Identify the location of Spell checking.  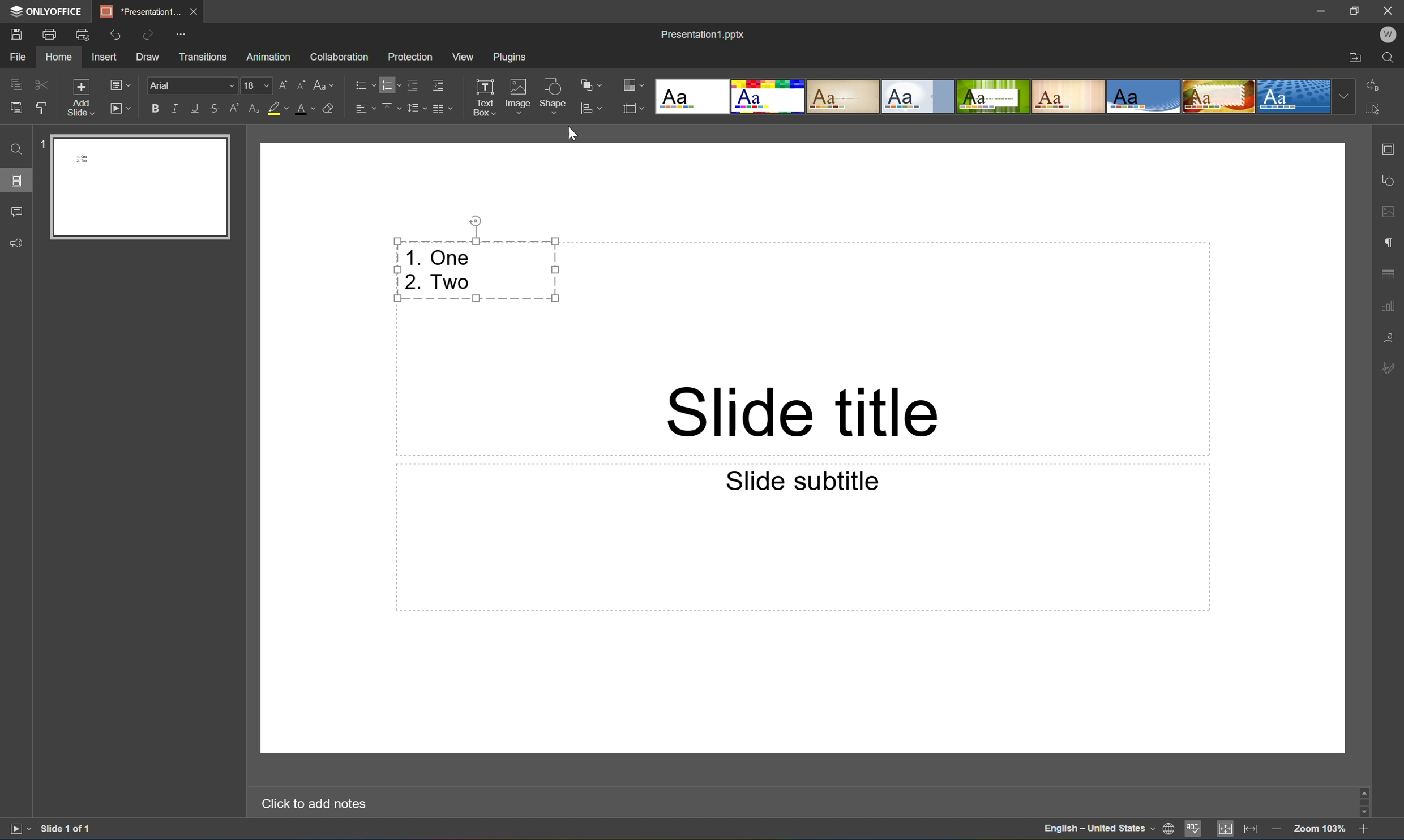
(1193, 829).